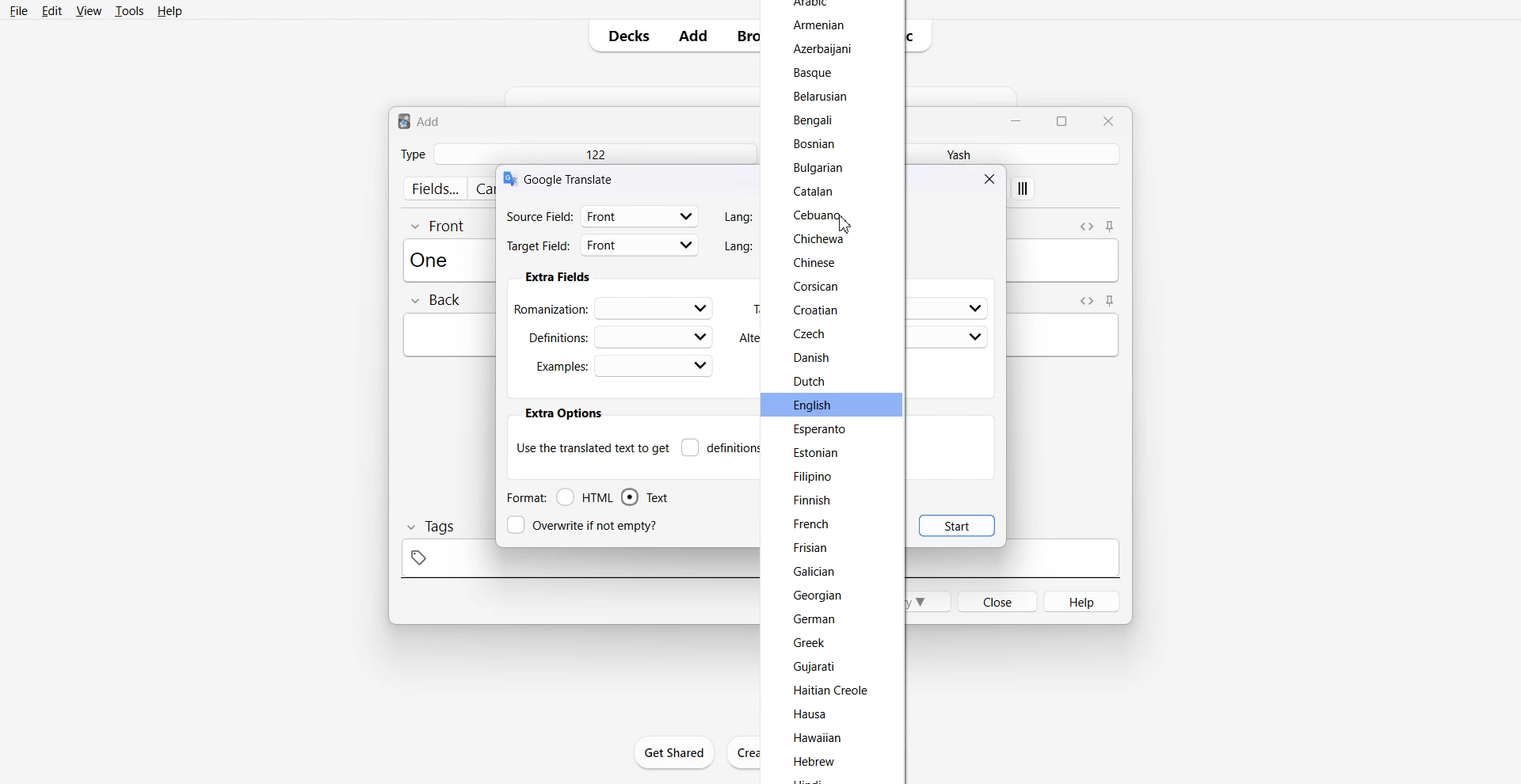 This screenshot has width=1521, height=784. I want to click on Basque, so click(812, 74).